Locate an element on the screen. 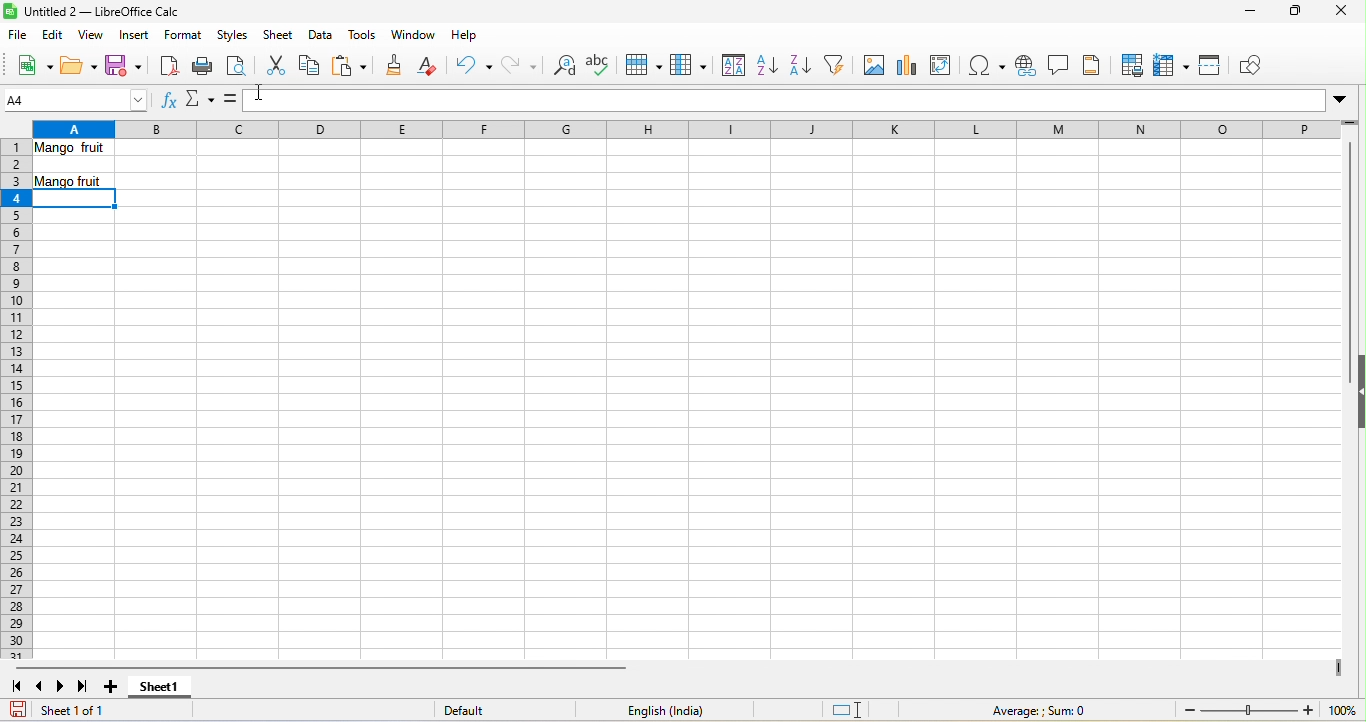 The height and width of the screenshot is (722, 1366). sheet 1 is located at coordinates (158, 691).